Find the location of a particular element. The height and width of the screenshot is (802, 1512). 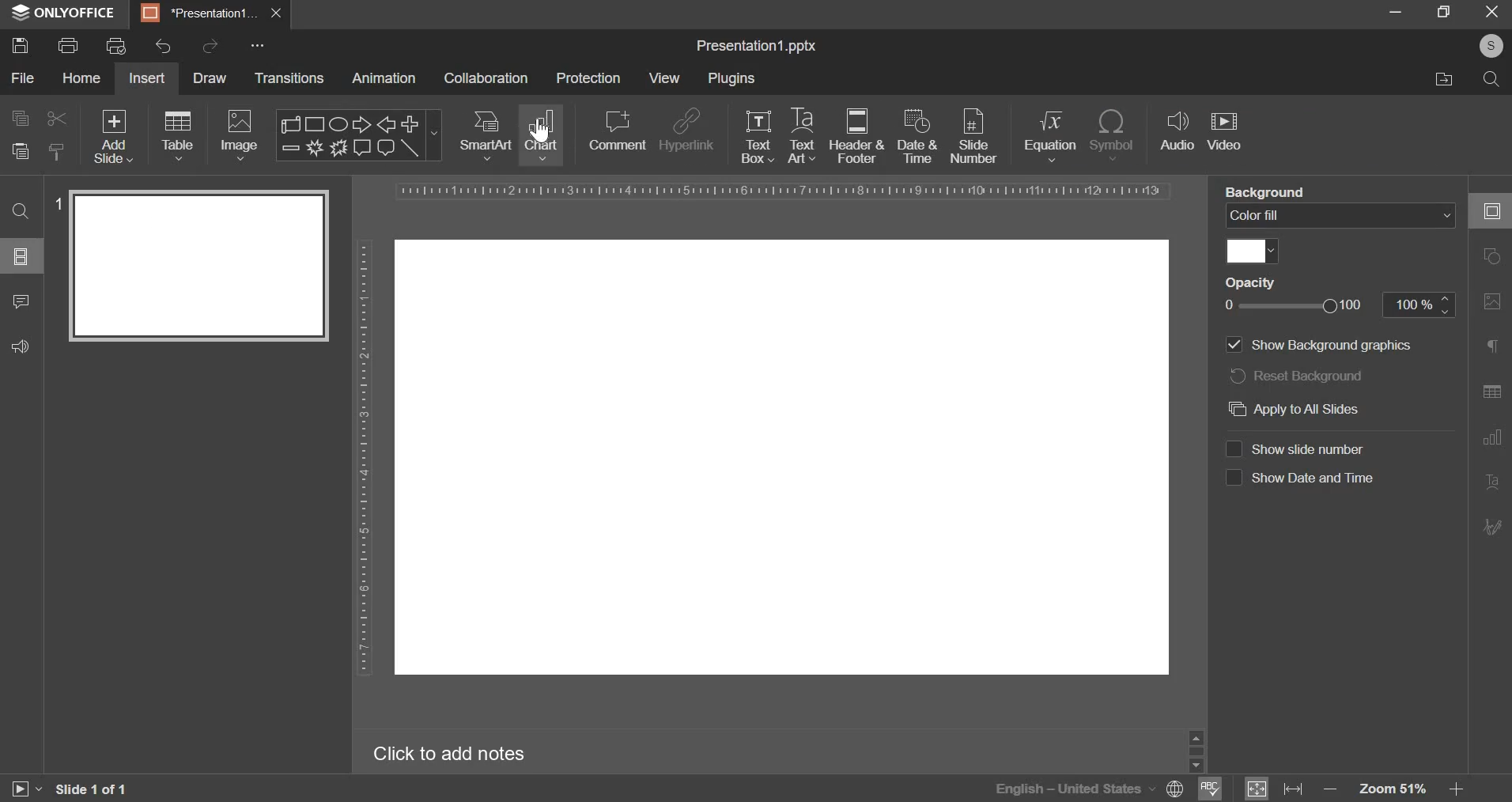

workspace is located at coordinates (784, 458).